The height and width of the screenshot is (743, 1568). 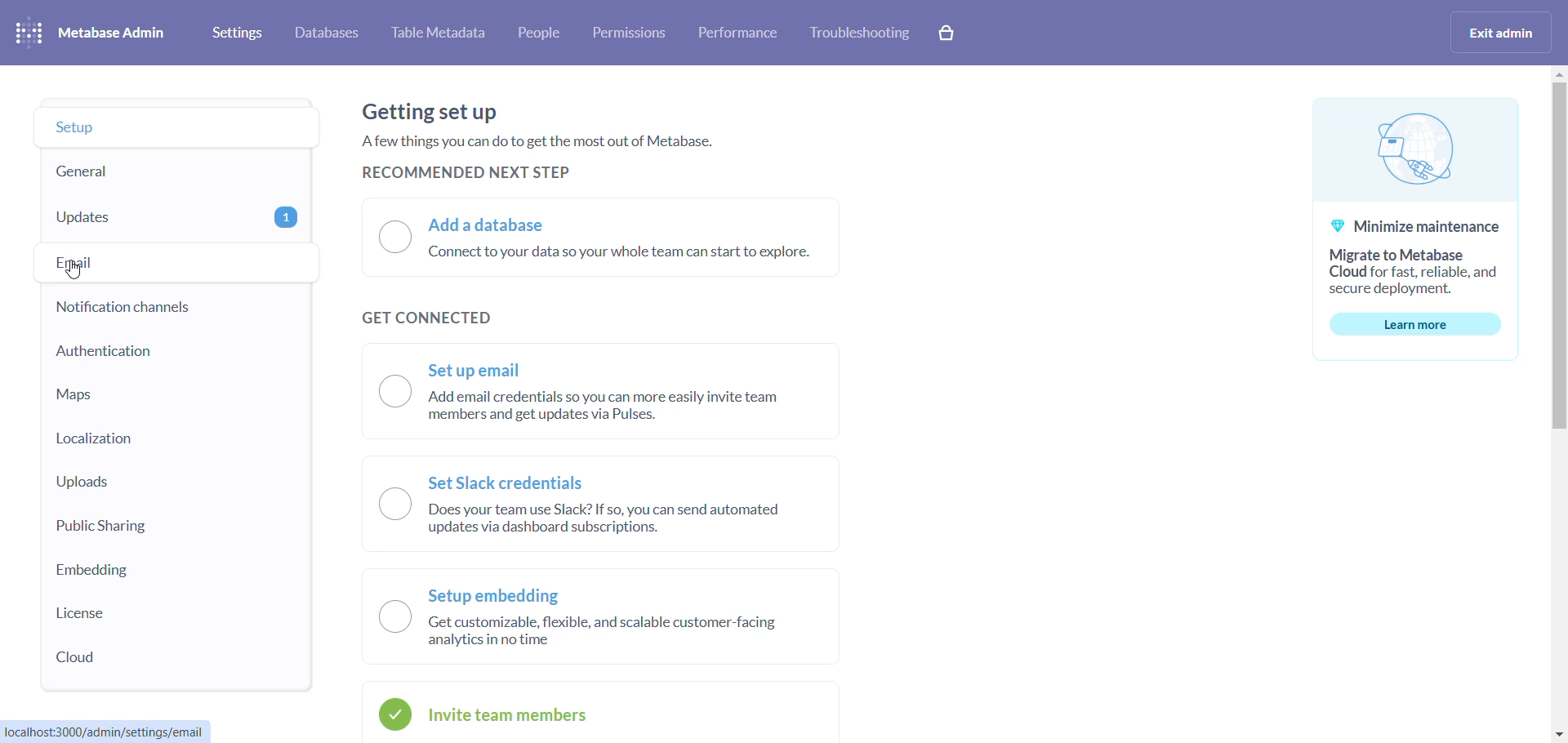 What do you see at coordinates (861, 33) in the screenshot?
I see `trouble shooting` at bounding box center [861, 33].